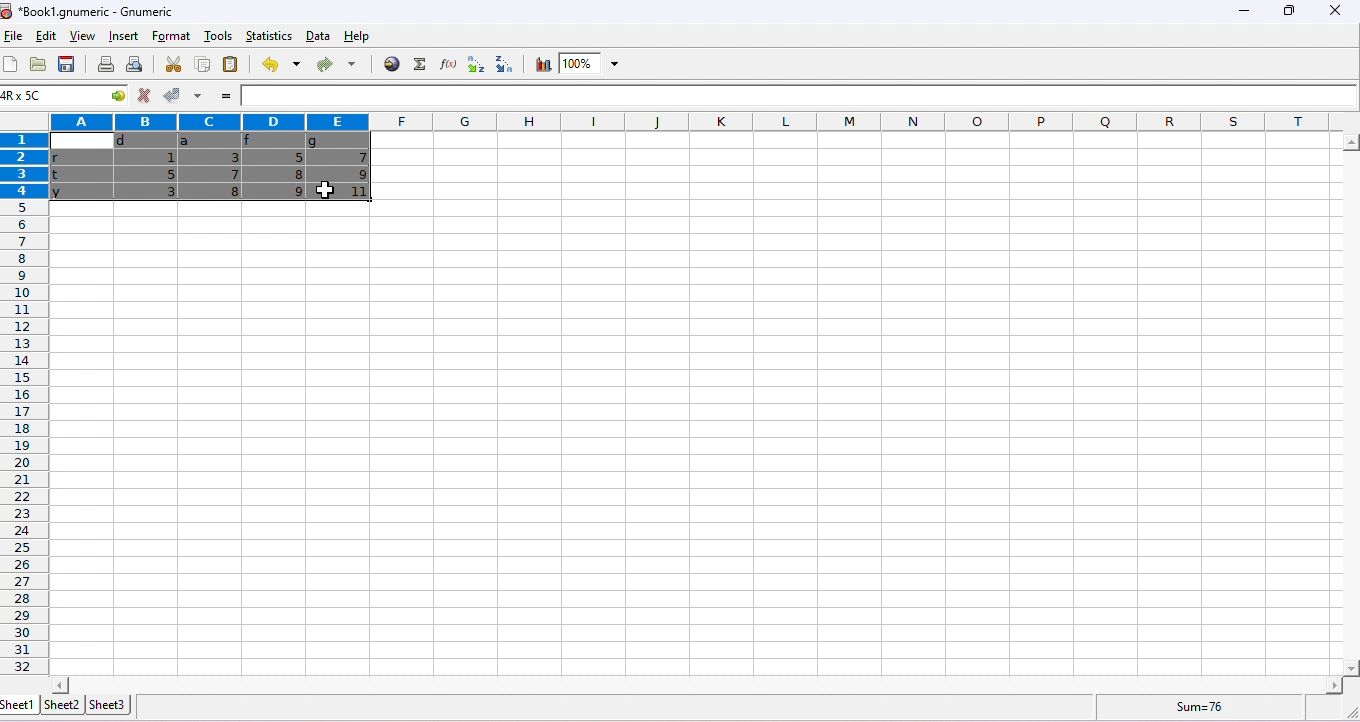 The width and height of the screenshot is (1360, 722). What do you see at coordinates (800, 96) in the screenshot?
I see `formula bar` at bounding box center [800, 96].